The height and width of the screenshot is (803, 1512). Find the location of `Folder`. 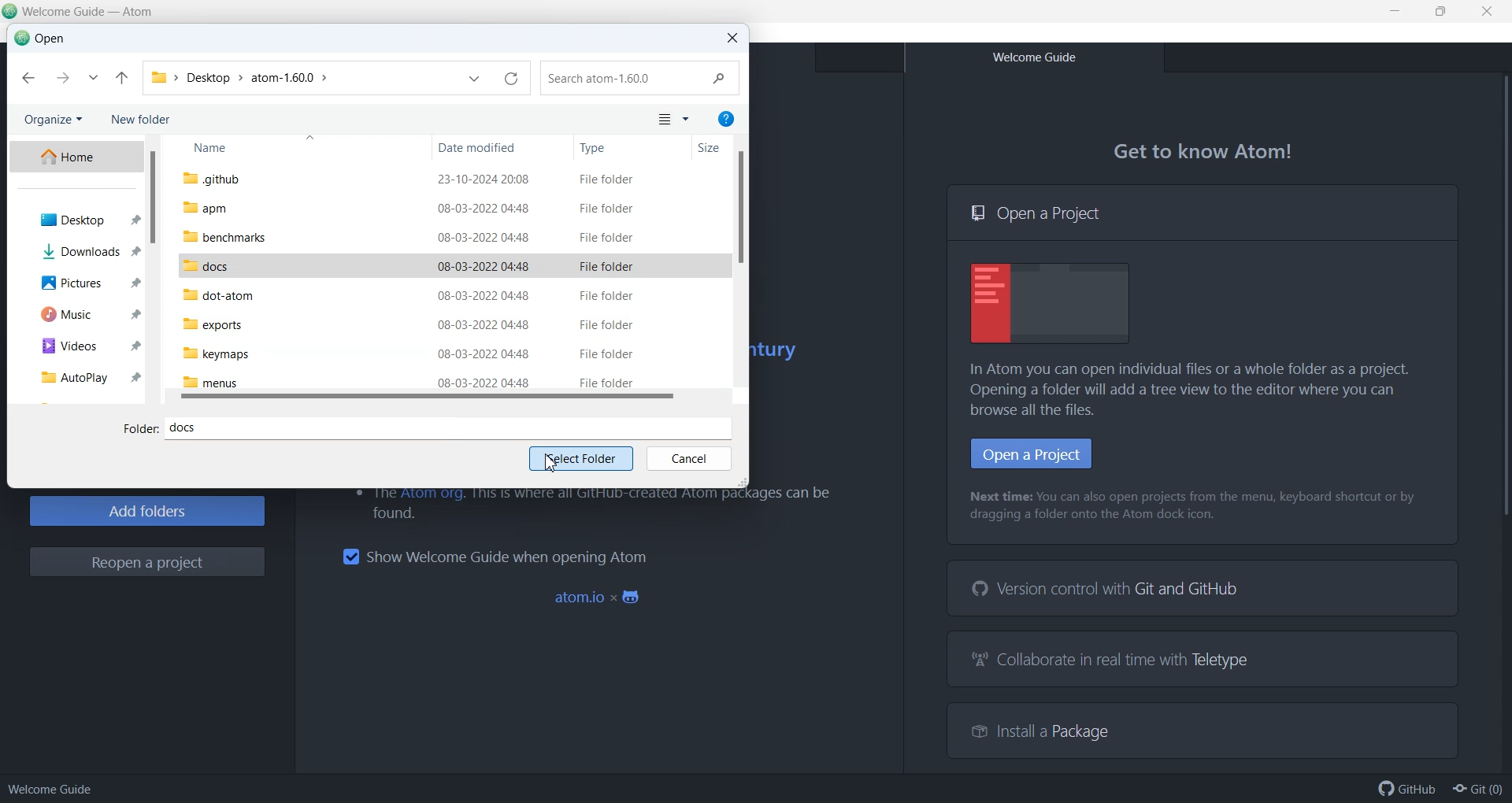

Folder is located at coordinates (159, 76).